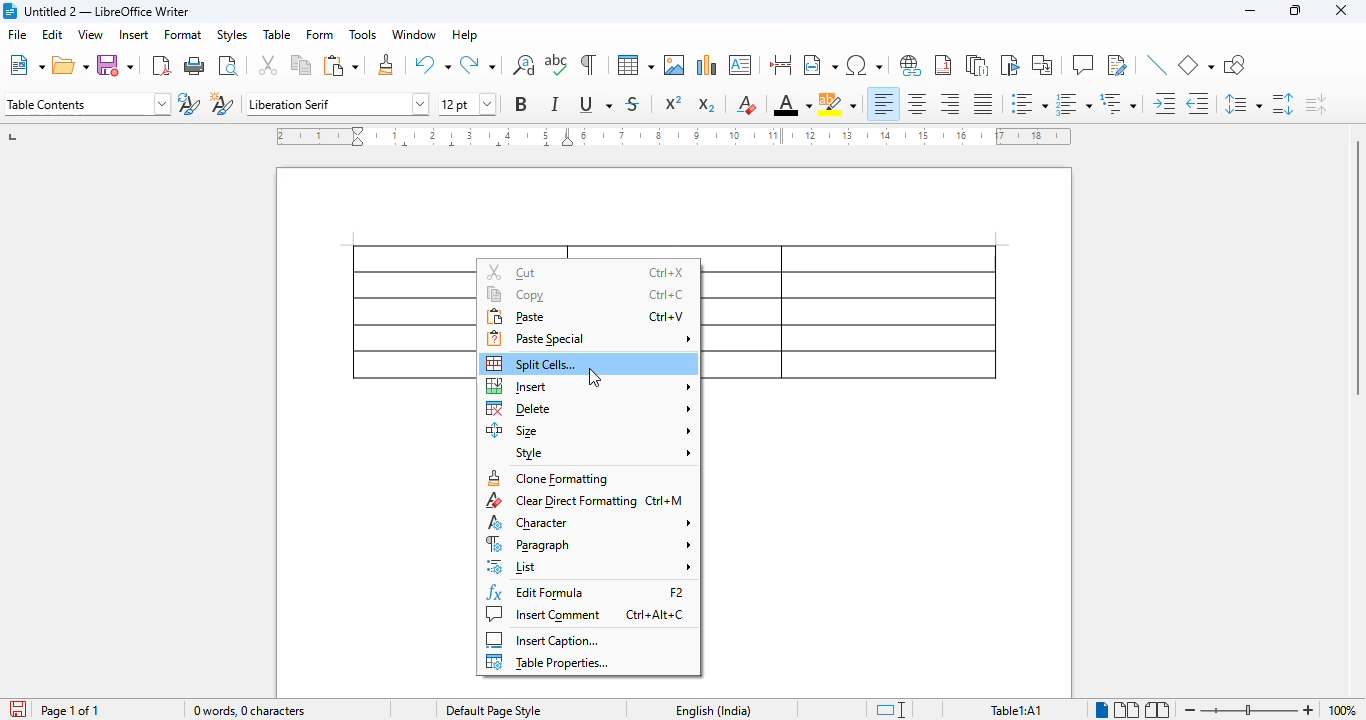 The image size is (1366, 720). I want to click on minimize, so click(1250, 11).